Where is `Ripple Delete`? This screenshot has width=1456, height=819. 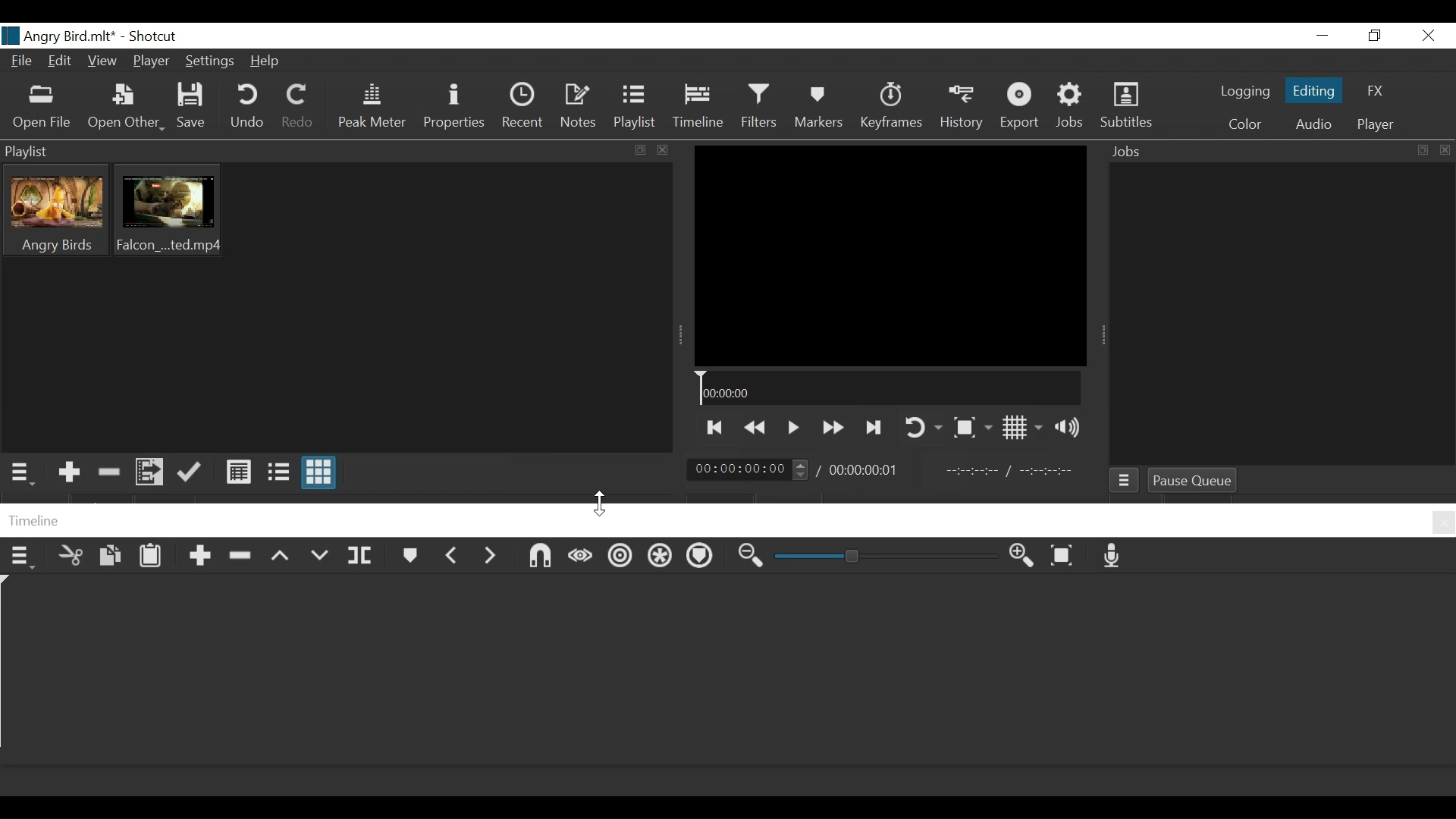 Ripple Delete is located at coordinates (243, 557).